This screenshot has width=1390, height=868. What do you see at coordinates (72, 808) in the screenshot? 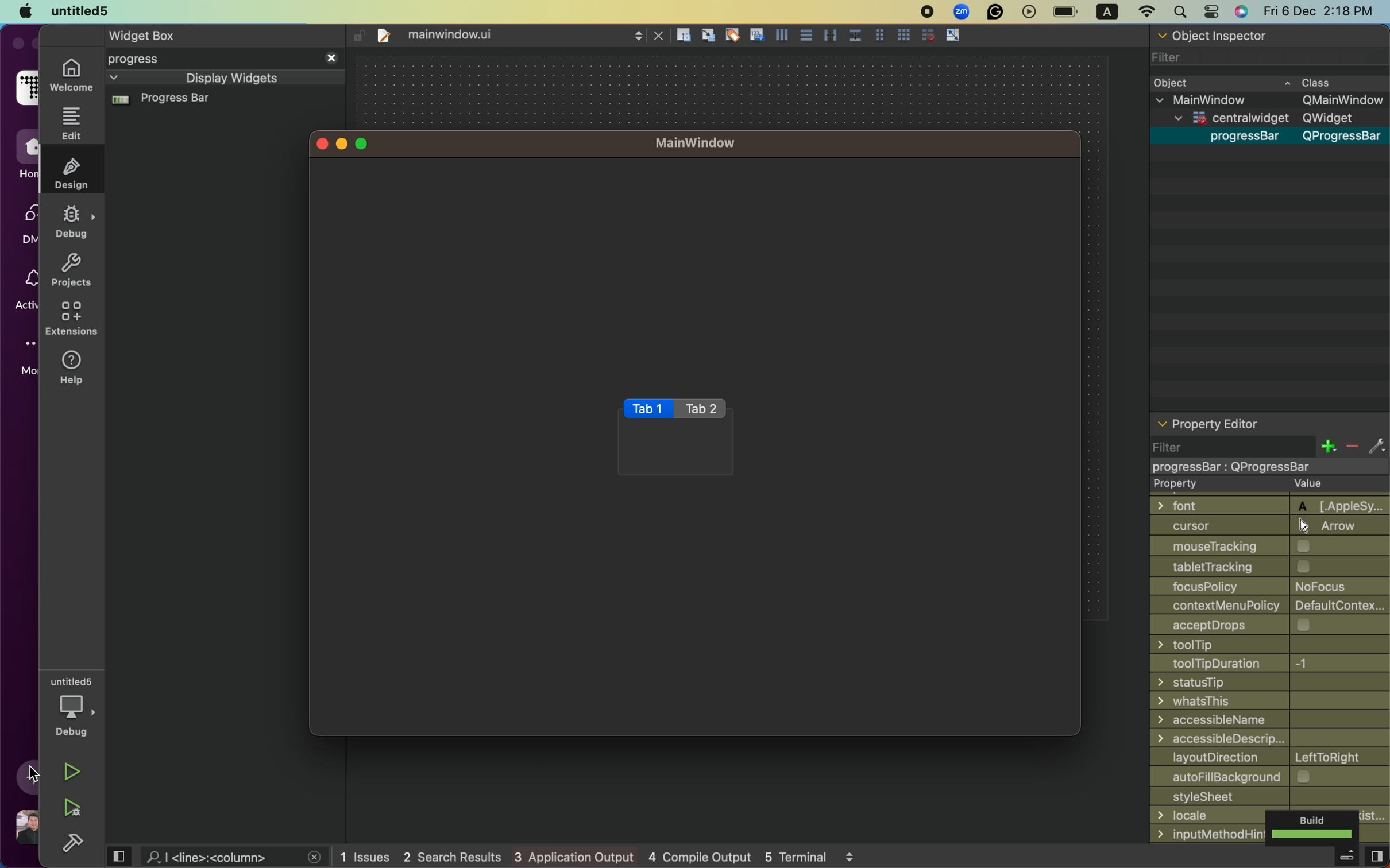
I see `debug and run` at bounding box center [72, 808].